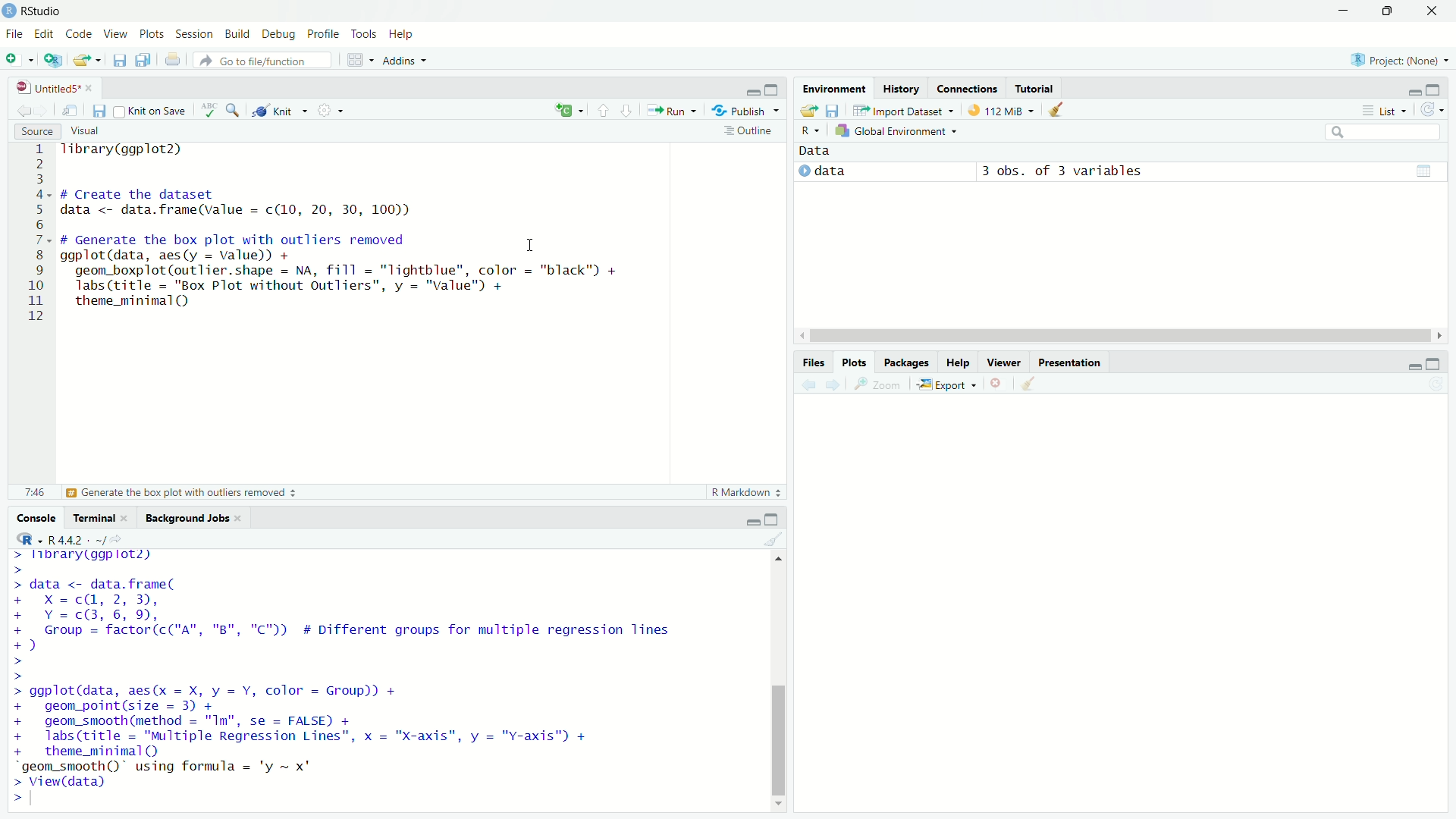 This screenshot has height=819, width=1456. I want to click on cursor, so click(531, 245).